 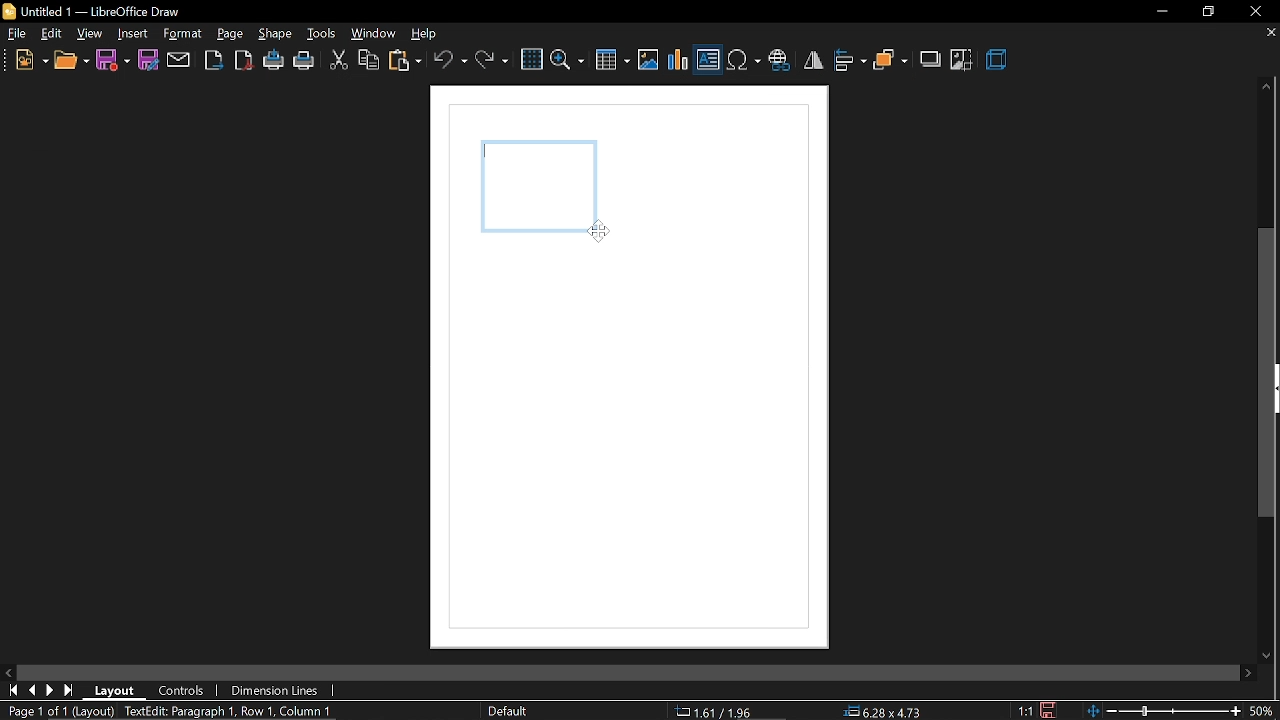 What do you see at coordinates (1160, 11) in the screenshot?
I see `minimize` at bounding box center [1160, 11].